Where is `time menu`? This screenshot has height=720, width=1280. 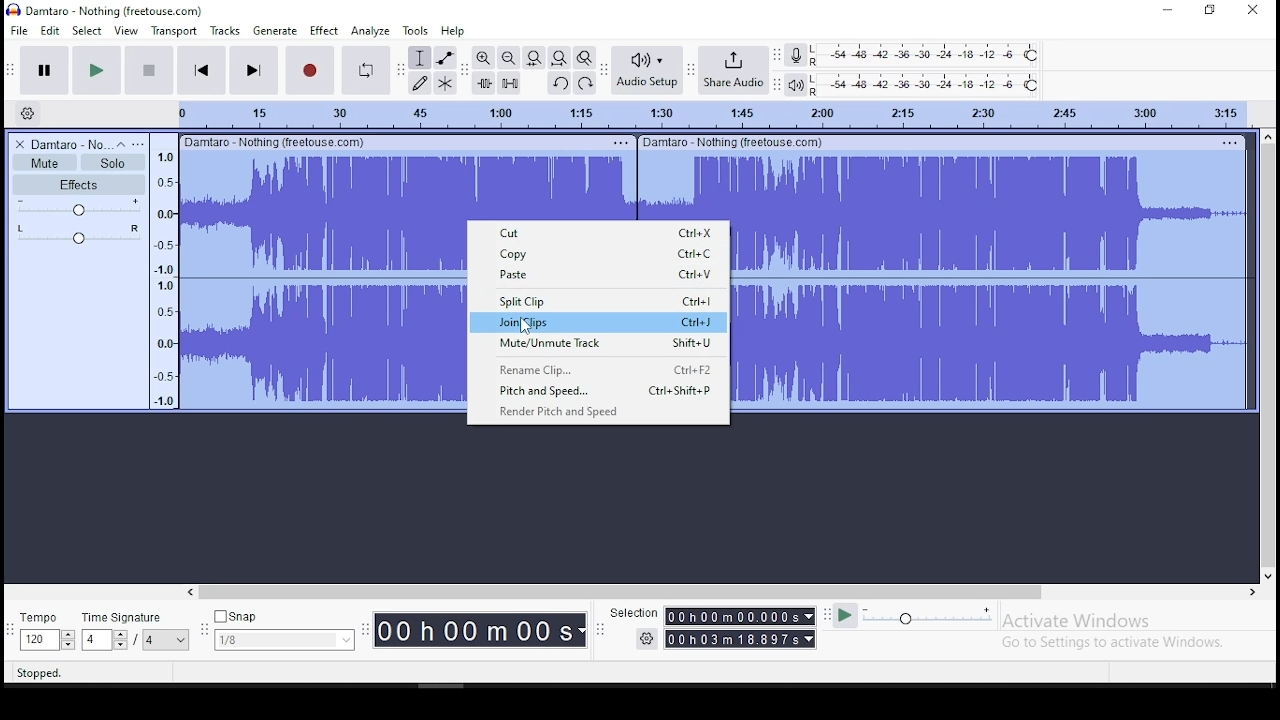 time menu is located at coordinates (741, 617).